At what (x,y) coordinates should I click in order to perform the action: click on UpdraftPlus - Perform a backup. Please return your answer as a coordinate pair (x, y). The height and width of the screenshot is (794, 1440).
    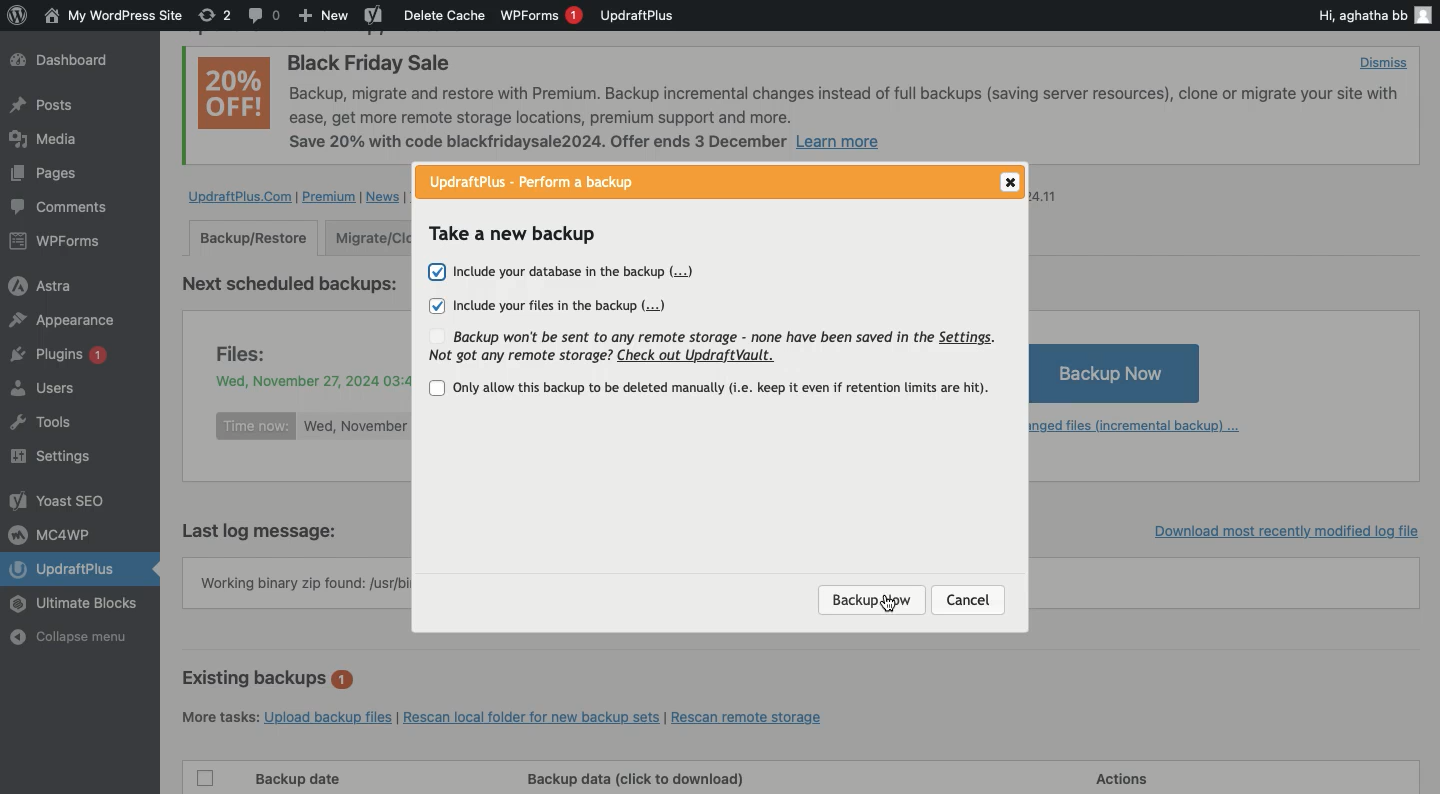
    Looking at the image, I should click on (553, 182).